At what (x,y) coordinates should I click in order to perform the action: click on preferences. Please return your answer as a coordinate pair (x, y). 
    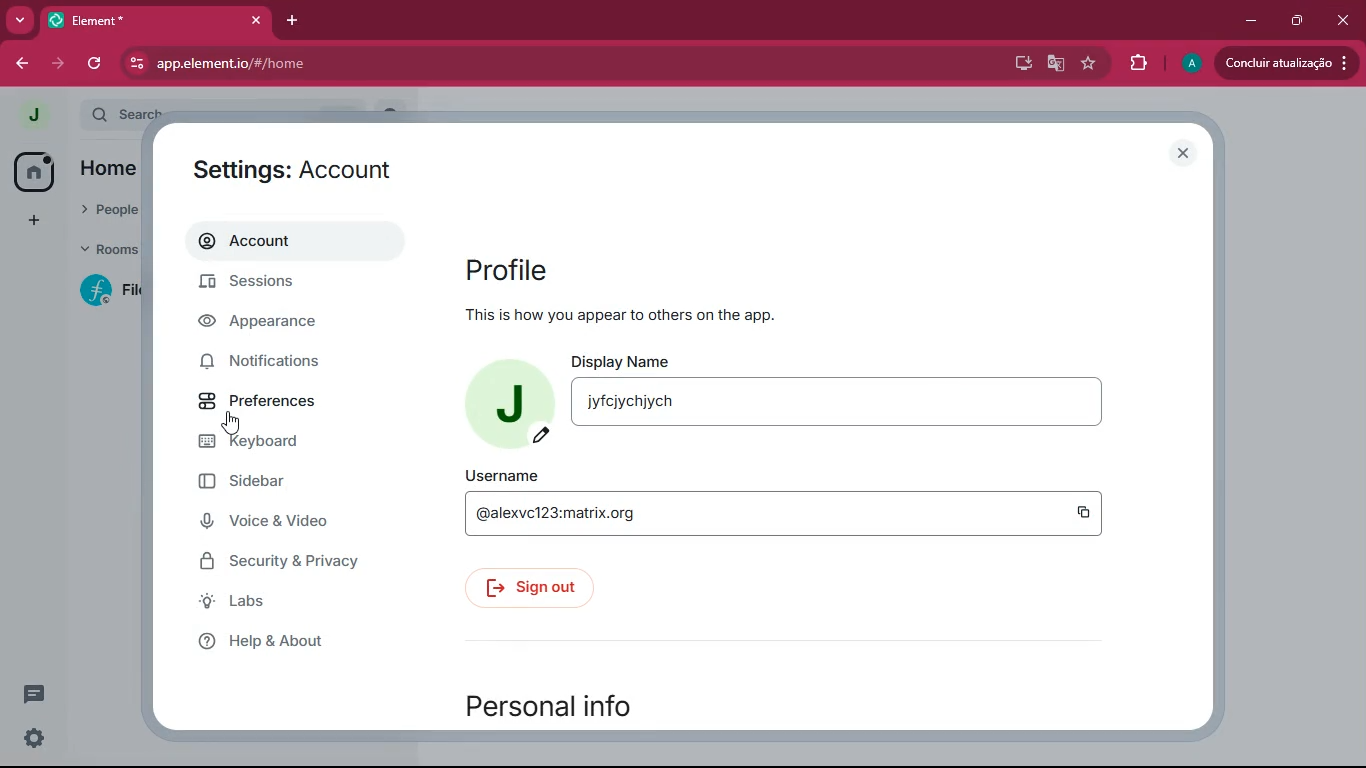
    Looking at the image, I should click on (274, 405).